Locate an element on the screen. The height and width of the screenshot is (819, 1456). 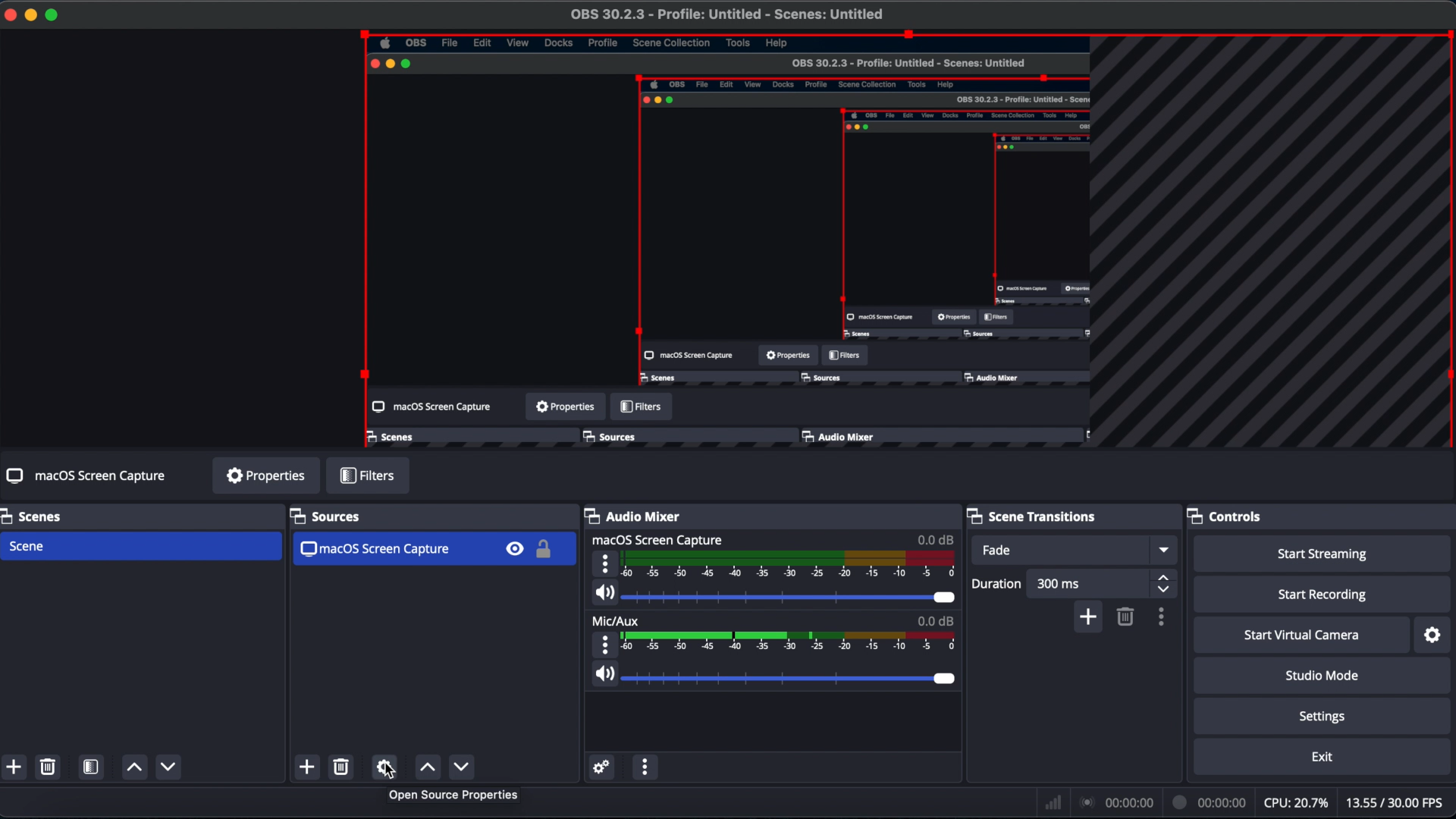
visibility toggle is located at coordinates (516, 548).